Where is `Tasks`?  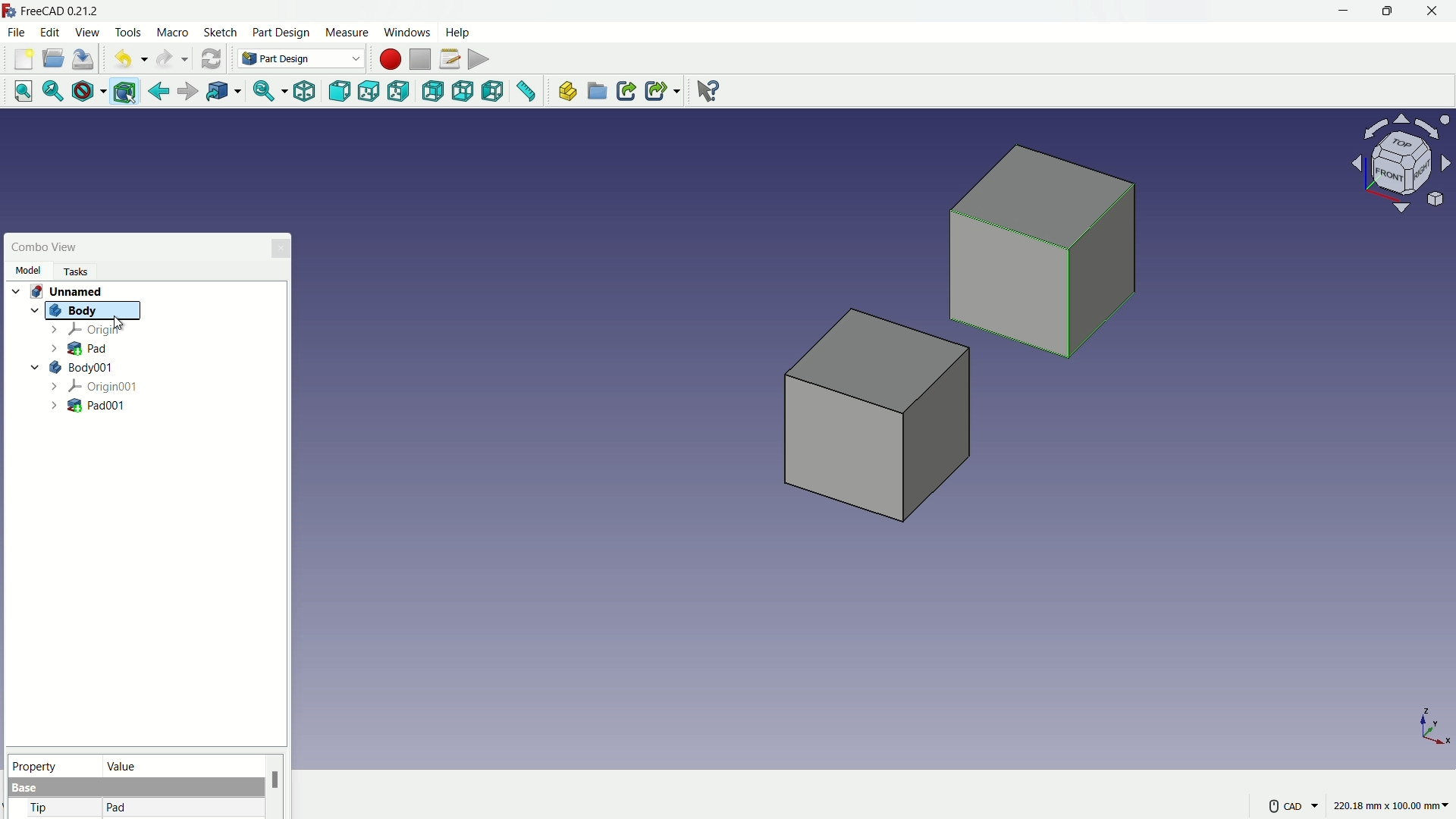
Tasks is located at coordinates (72, 272).